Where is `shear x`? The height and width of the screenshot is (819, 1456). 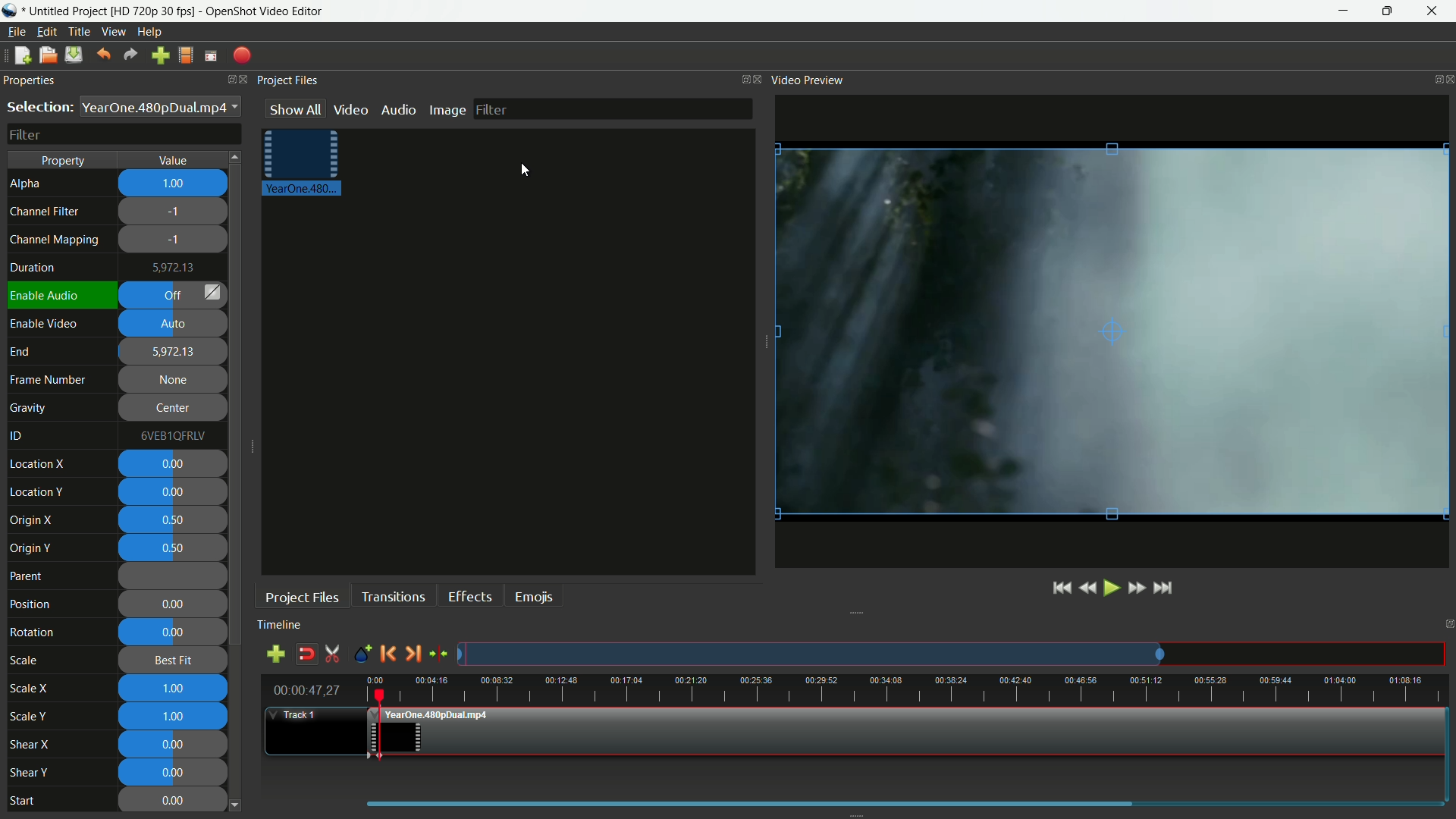
shear x is located at coordinates (31, 745).